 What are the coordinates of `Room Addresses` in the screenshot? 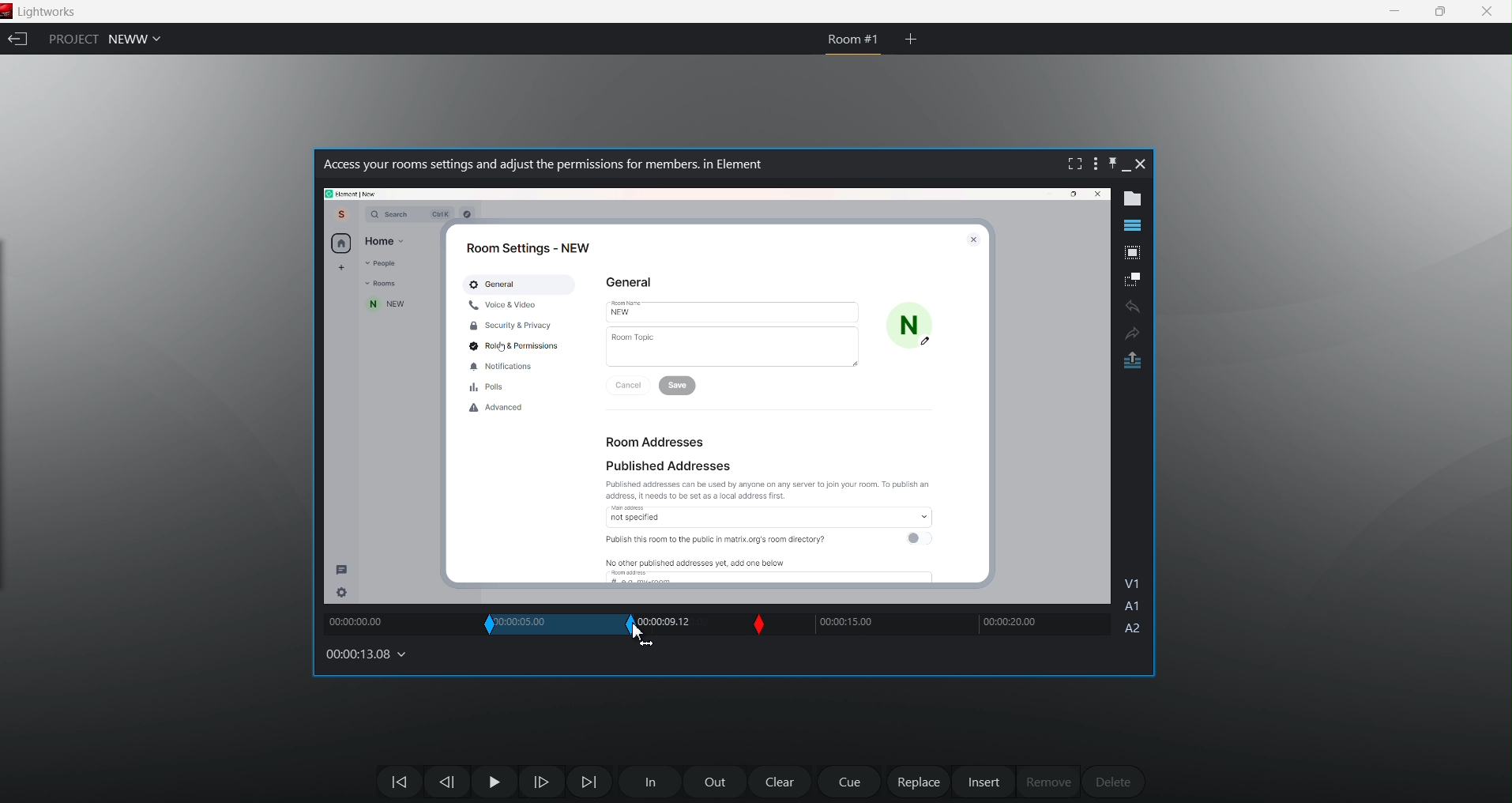 It's located at (664, 443).